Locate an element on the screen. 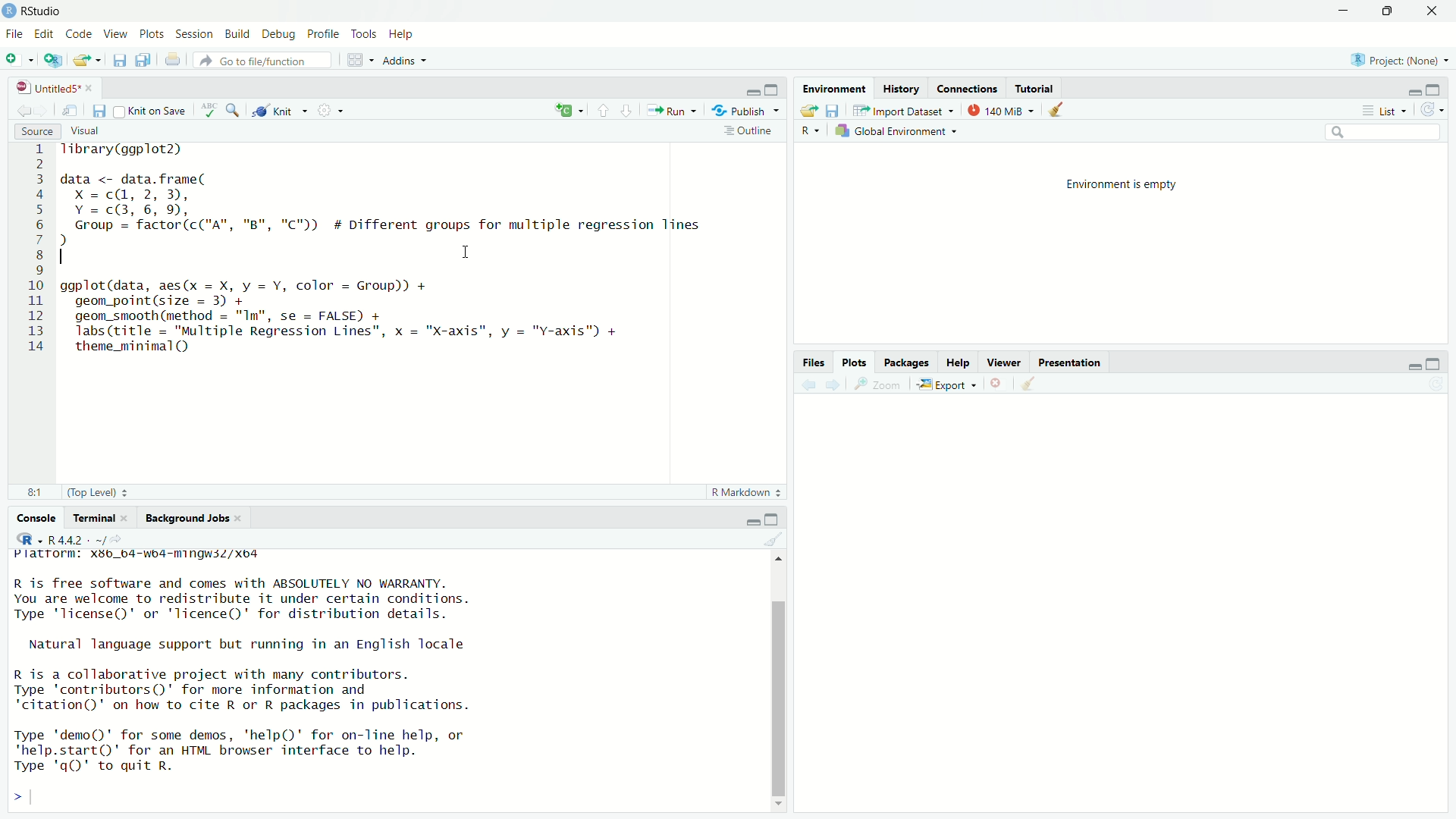 The width and height of the screenshot is (1456, 819). add script is located at coordinates (52, 61).